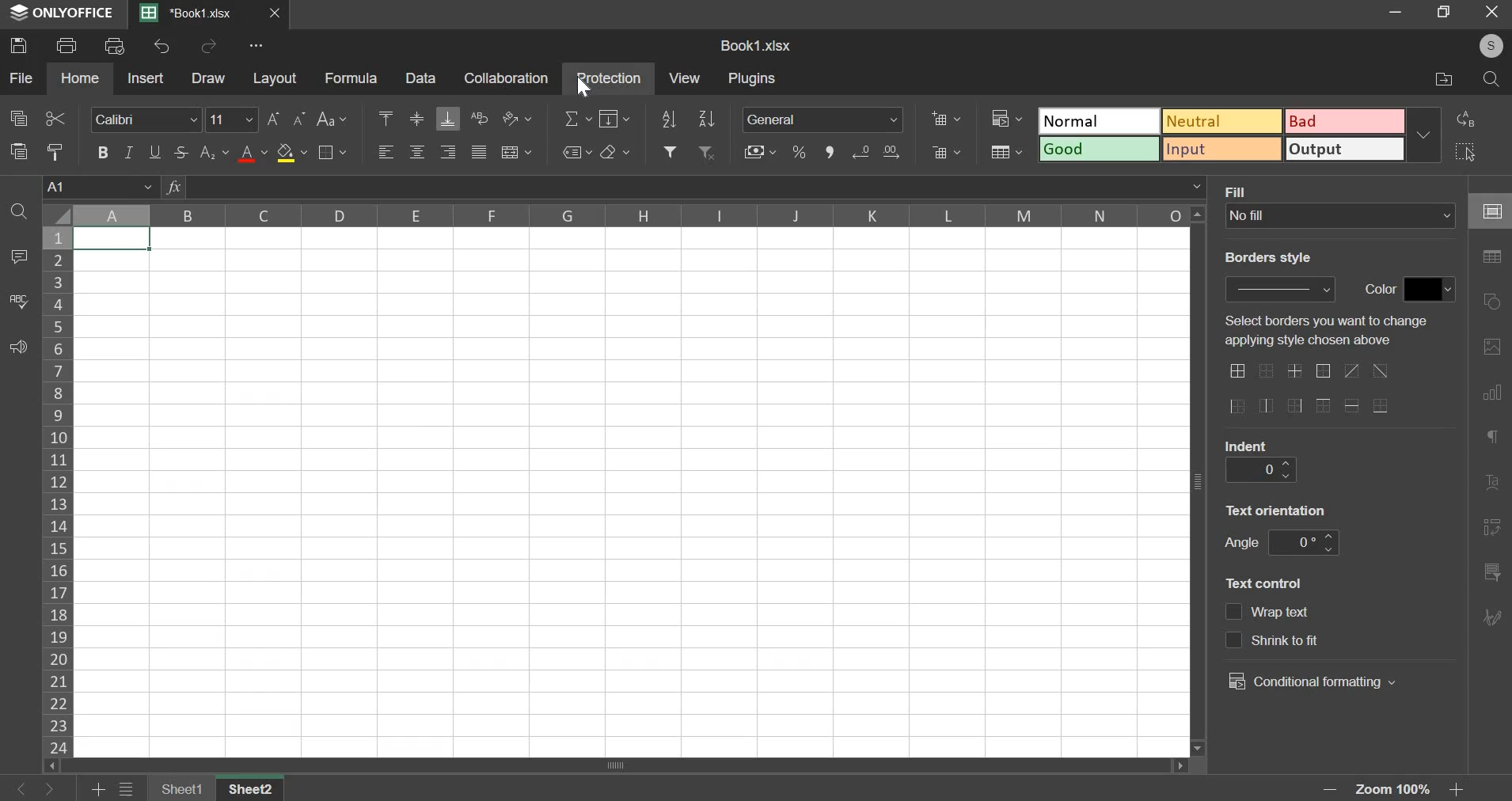 The height and width of the screenshot is (801, 1512). What do you see at coordinates (19, 44) in the screenshot?
I see `save` at bounding box center [19, 44].